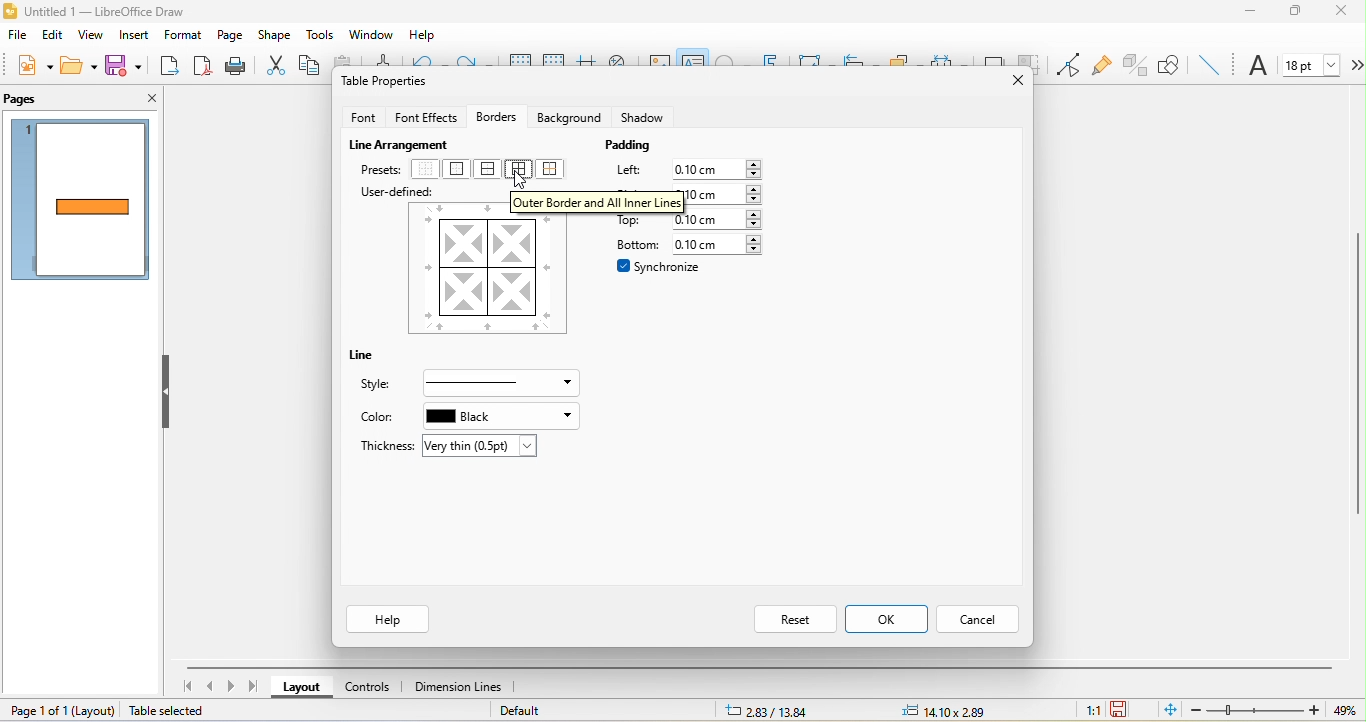 The width and height of the screenshot is (1366, 722). Describe the element at coordinates (1254, 711) in the screenshot. I see `zoom` at that location.